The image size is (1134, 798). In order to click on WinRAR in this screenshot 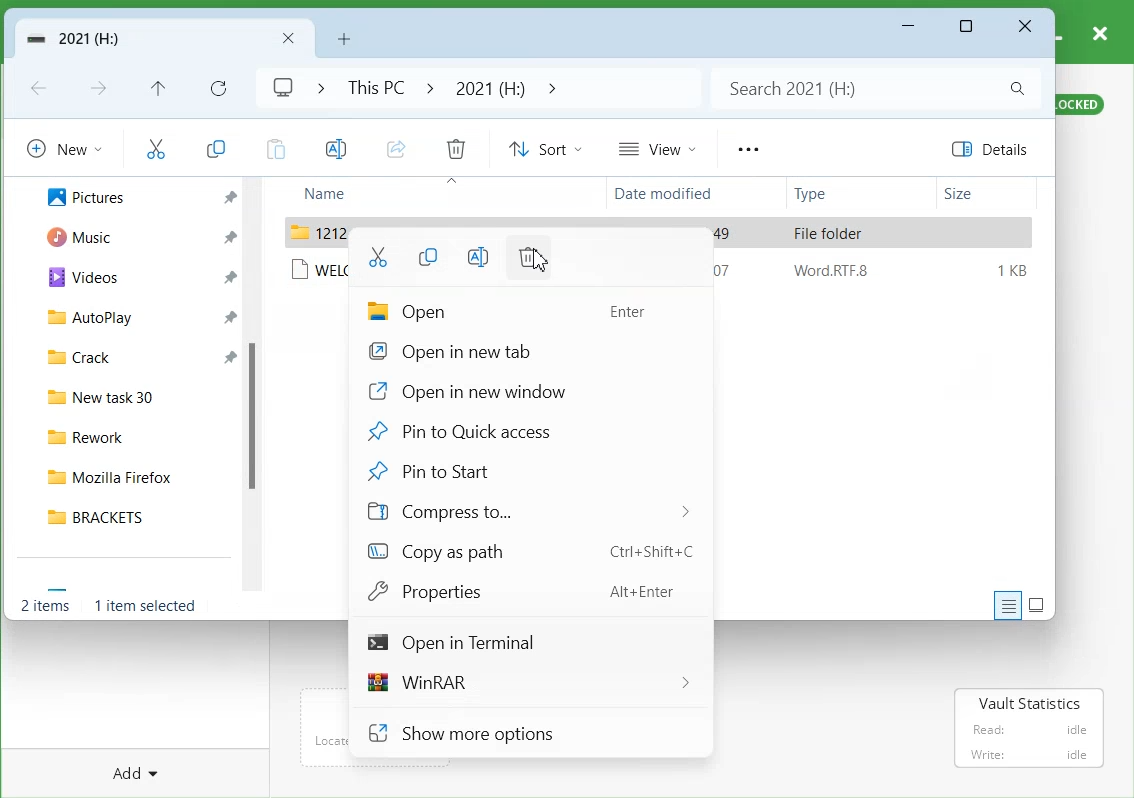, I will do `click(526, 682)`.